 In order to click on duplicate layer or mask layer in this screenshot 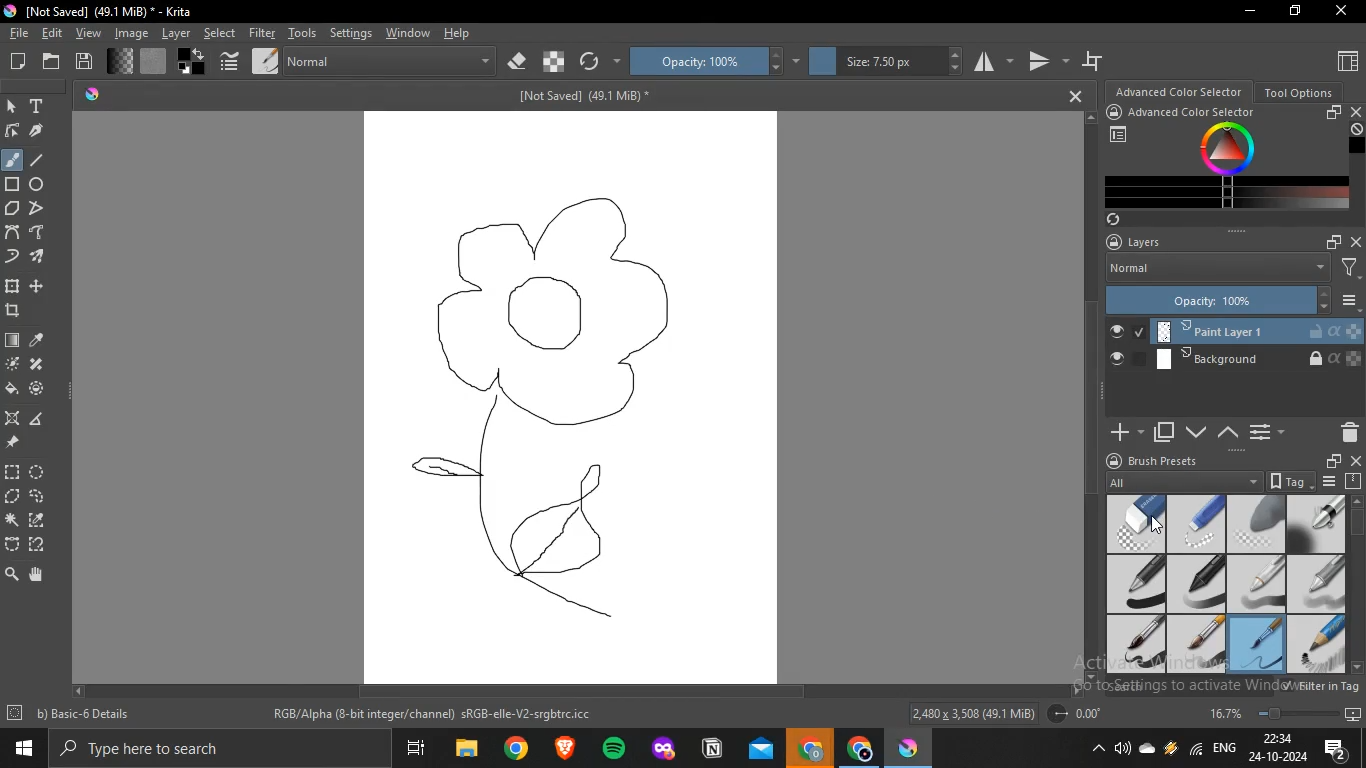, I will do `click(1164, 433)`.